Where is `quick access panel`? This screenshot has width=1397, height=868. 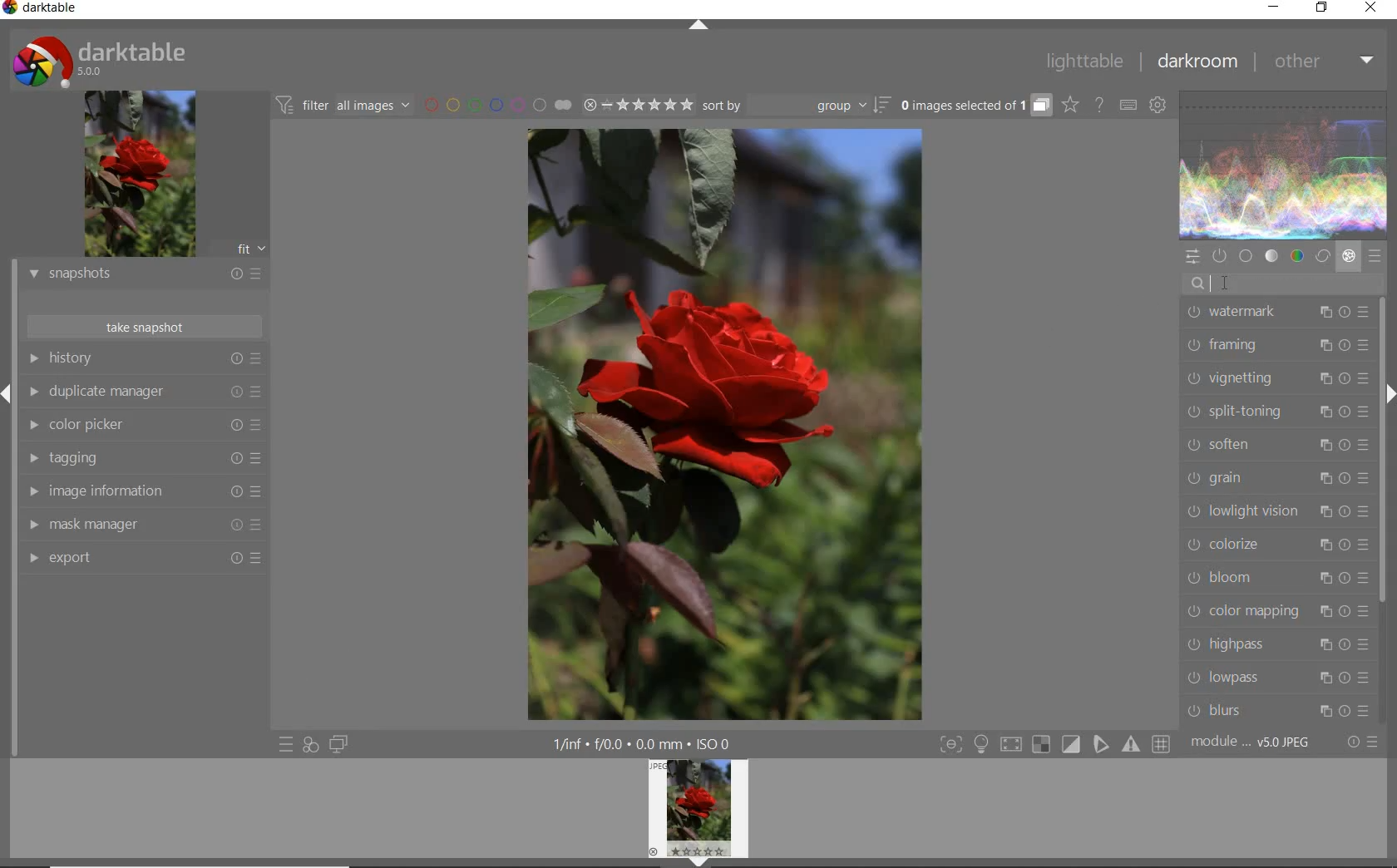
quick access panel is located at coordinates (1192, 257).